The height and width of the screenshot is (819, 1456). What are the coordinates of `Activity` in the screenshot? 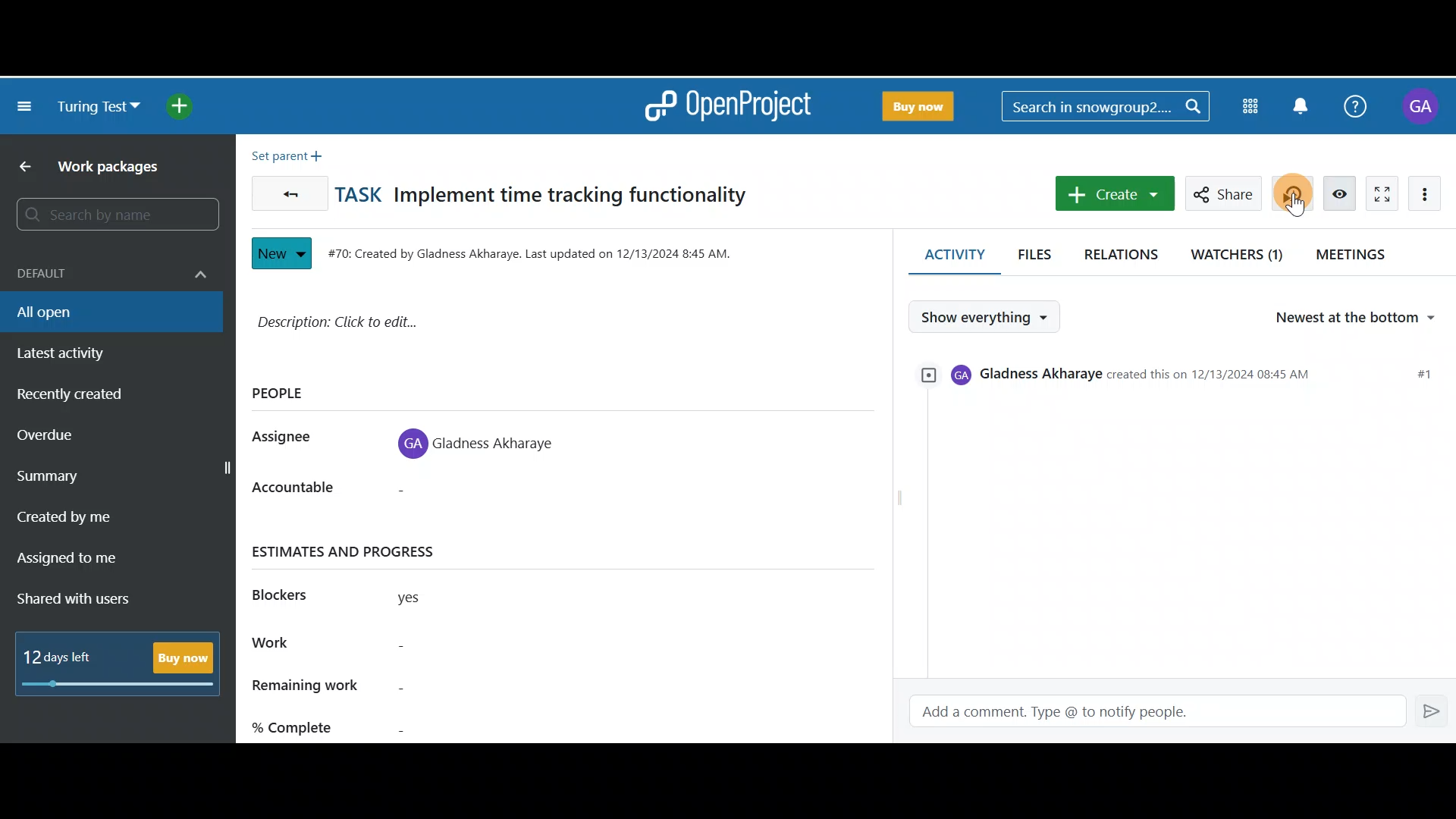 It's located at (945, 254).